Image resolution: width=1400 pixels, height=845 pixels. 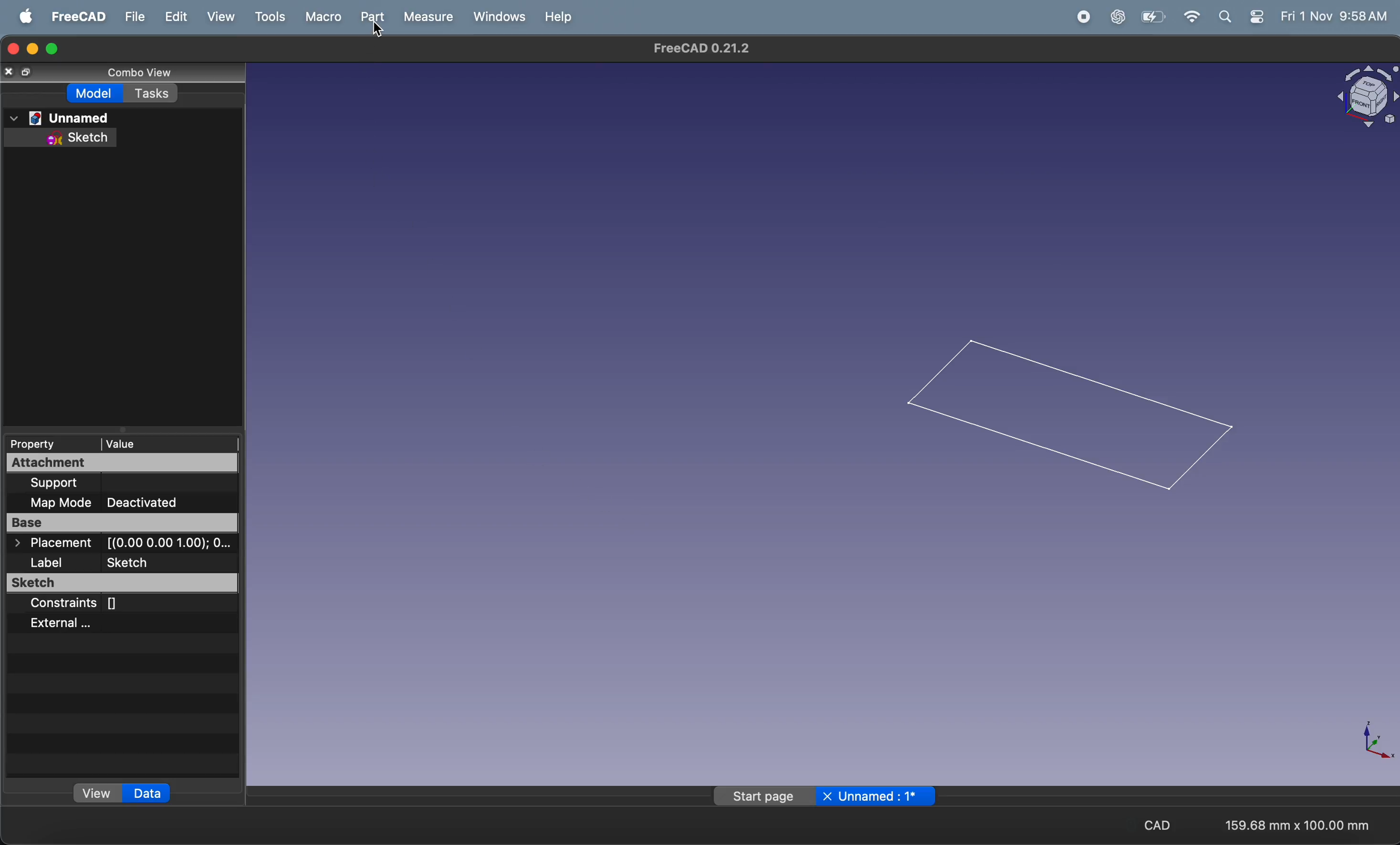 I want to click on closing window, so click(x=10, y=50).